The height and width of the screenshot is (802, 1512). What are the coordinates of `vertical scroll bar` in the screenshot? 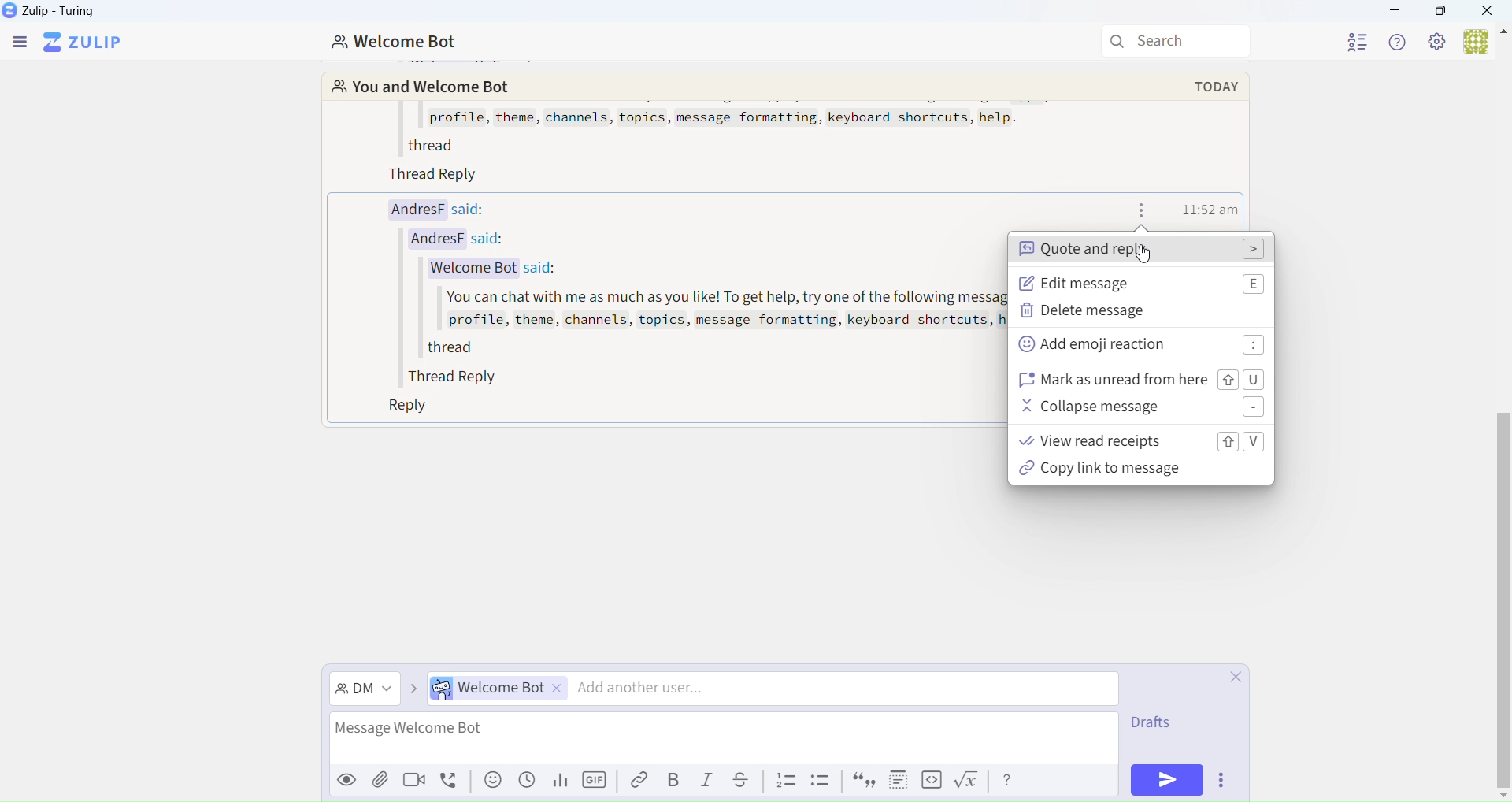 It's located at (1503, 600).